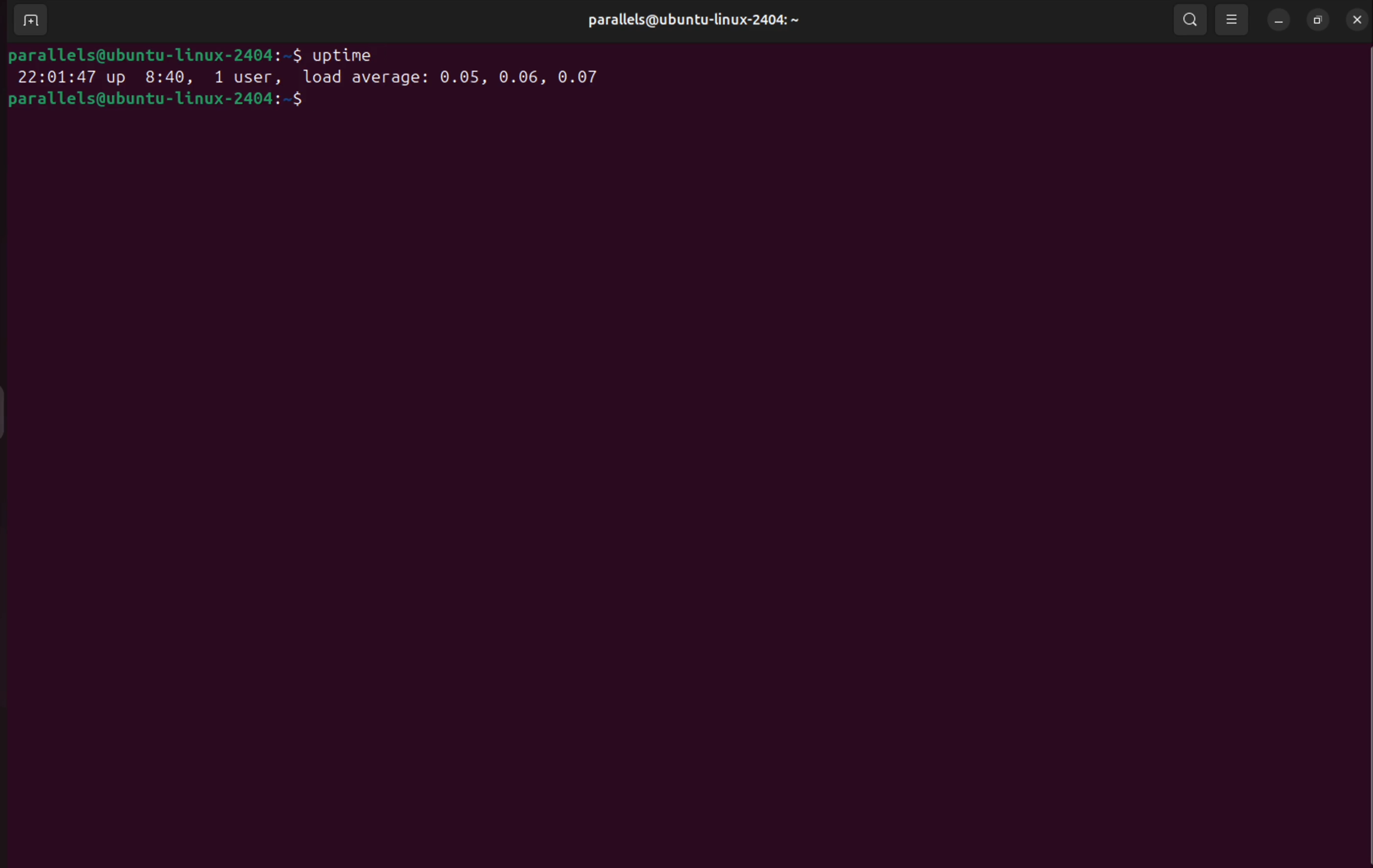  What do you see at coordinates (523, 78) in the screenshot?
I see `0.06` at bounding box center [523, 78].